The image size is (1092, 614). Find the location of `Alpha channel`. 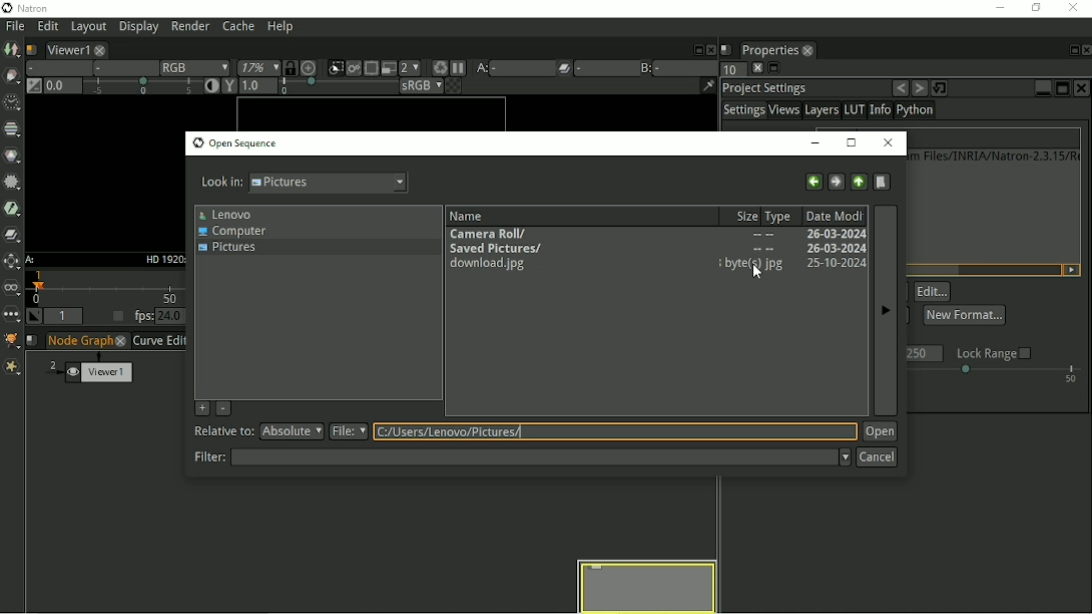

Alpha channel is located at coordinates (121, 69).